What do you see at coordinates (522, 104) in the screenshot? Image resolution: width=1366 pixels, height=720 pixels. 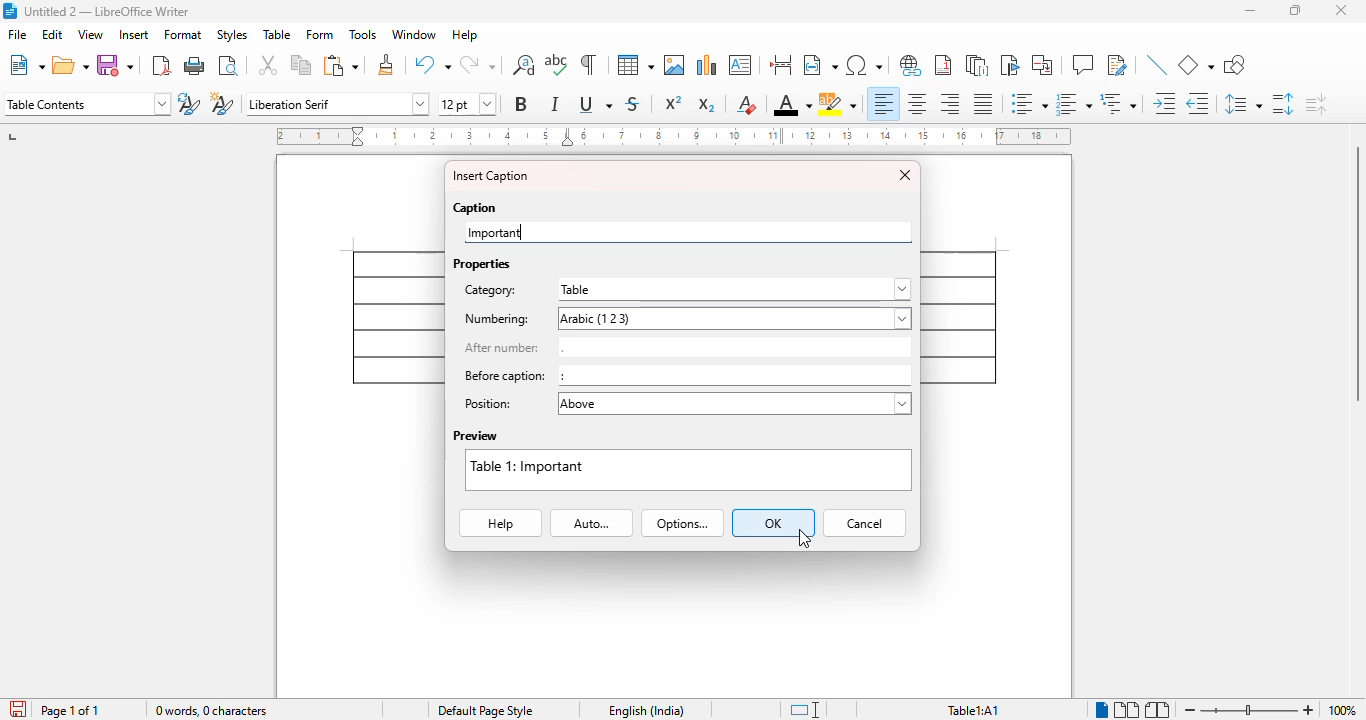 I see `bold` at bounding box center [522, 104].